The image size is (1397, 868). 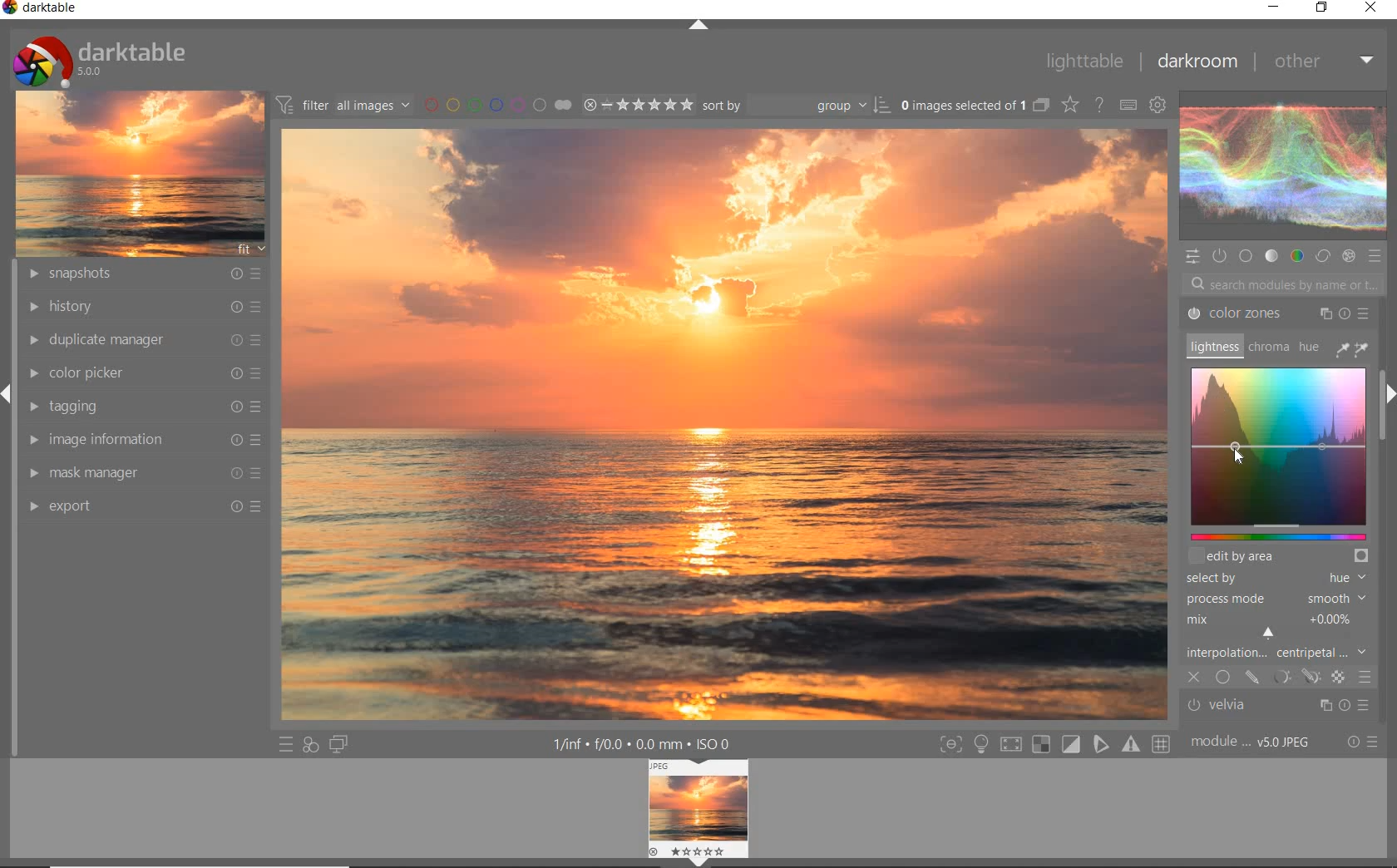 I want to click on SELECTED BY HUE, so click(x=1276, y=578).